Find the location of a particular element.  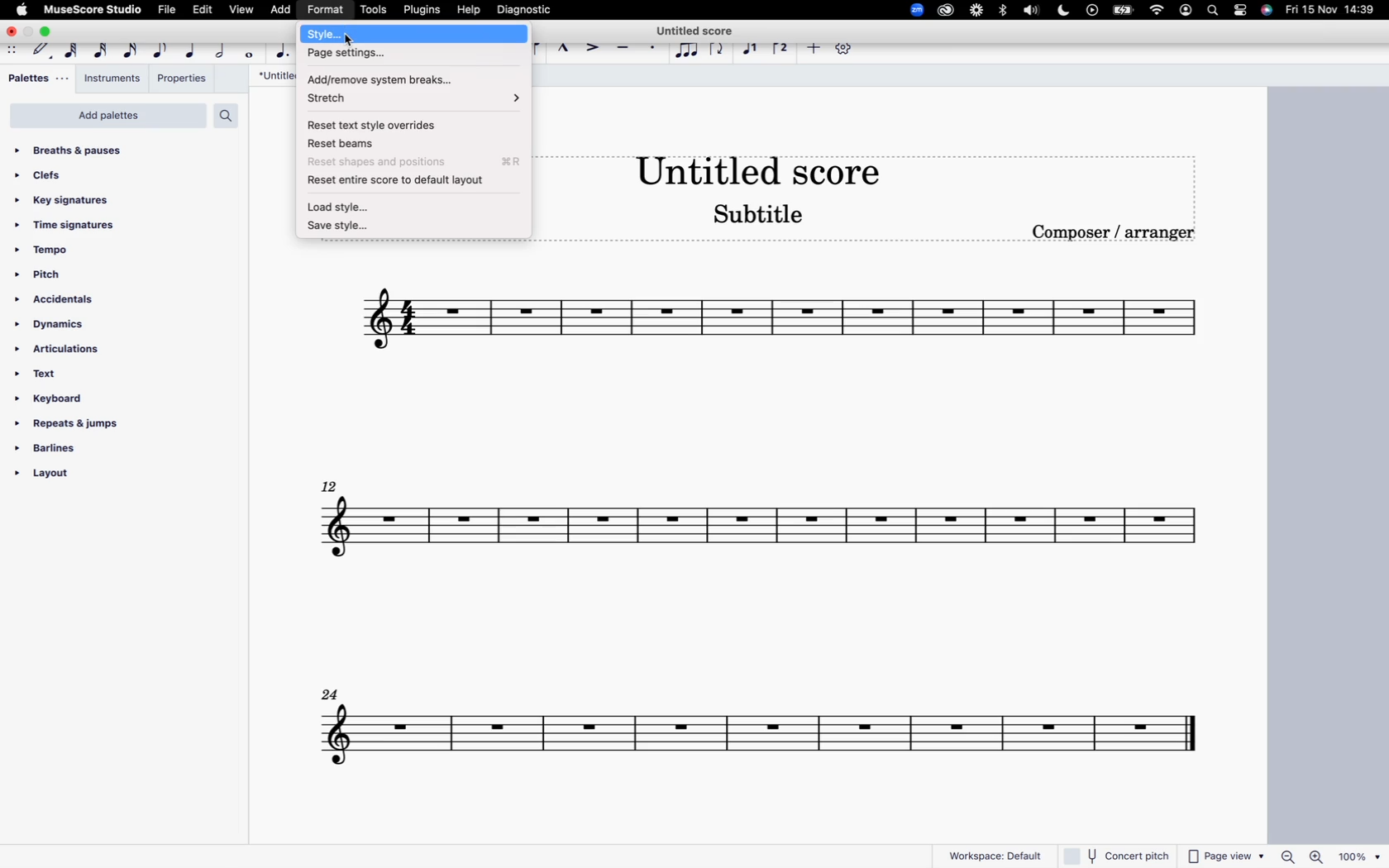

tuplet is located at coordinates (689, 51).